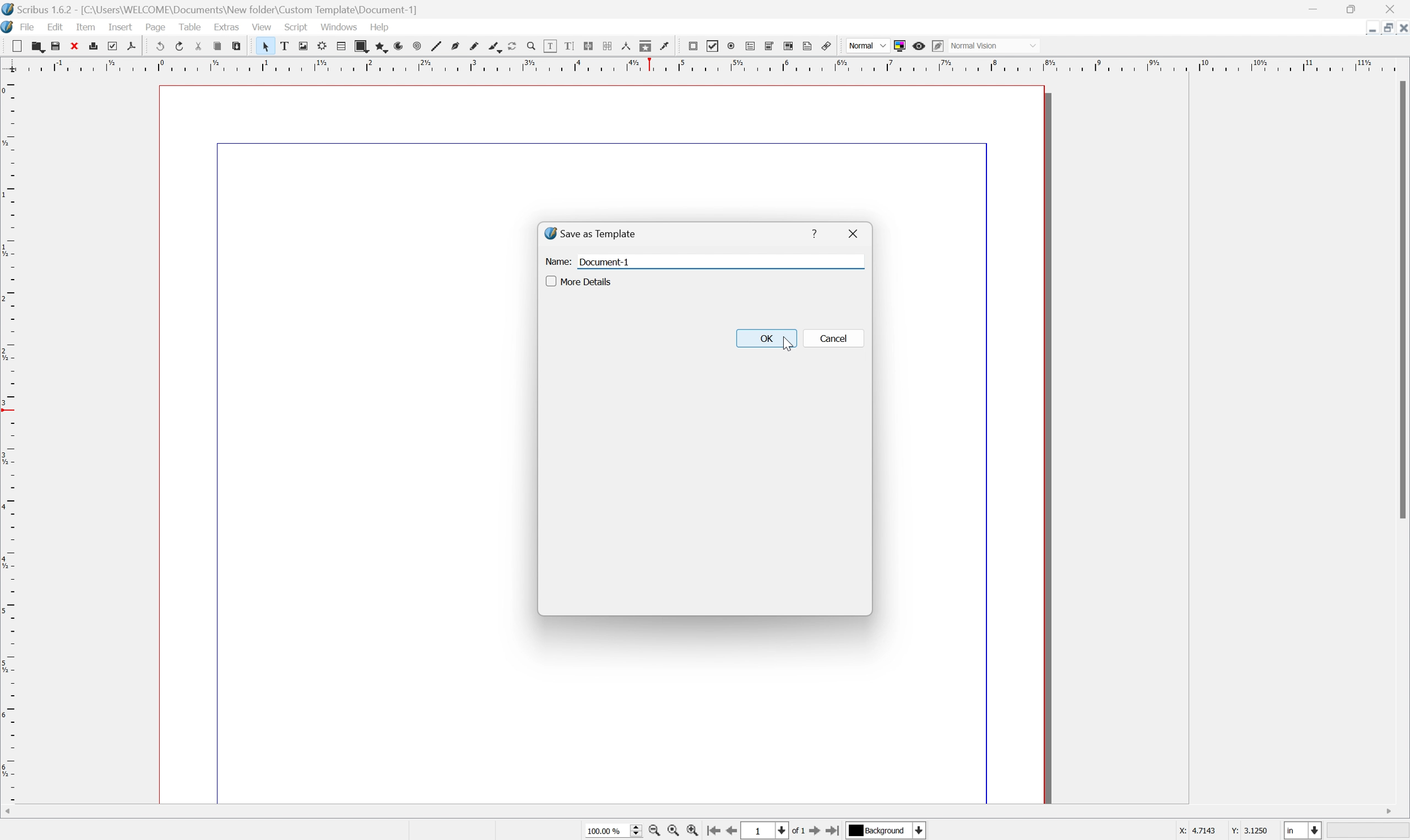 The width and height of the screenshot is (1410, 840). Describe the element at coordinates (835, 338) in the screenshot. I see `Cancel` at that location.